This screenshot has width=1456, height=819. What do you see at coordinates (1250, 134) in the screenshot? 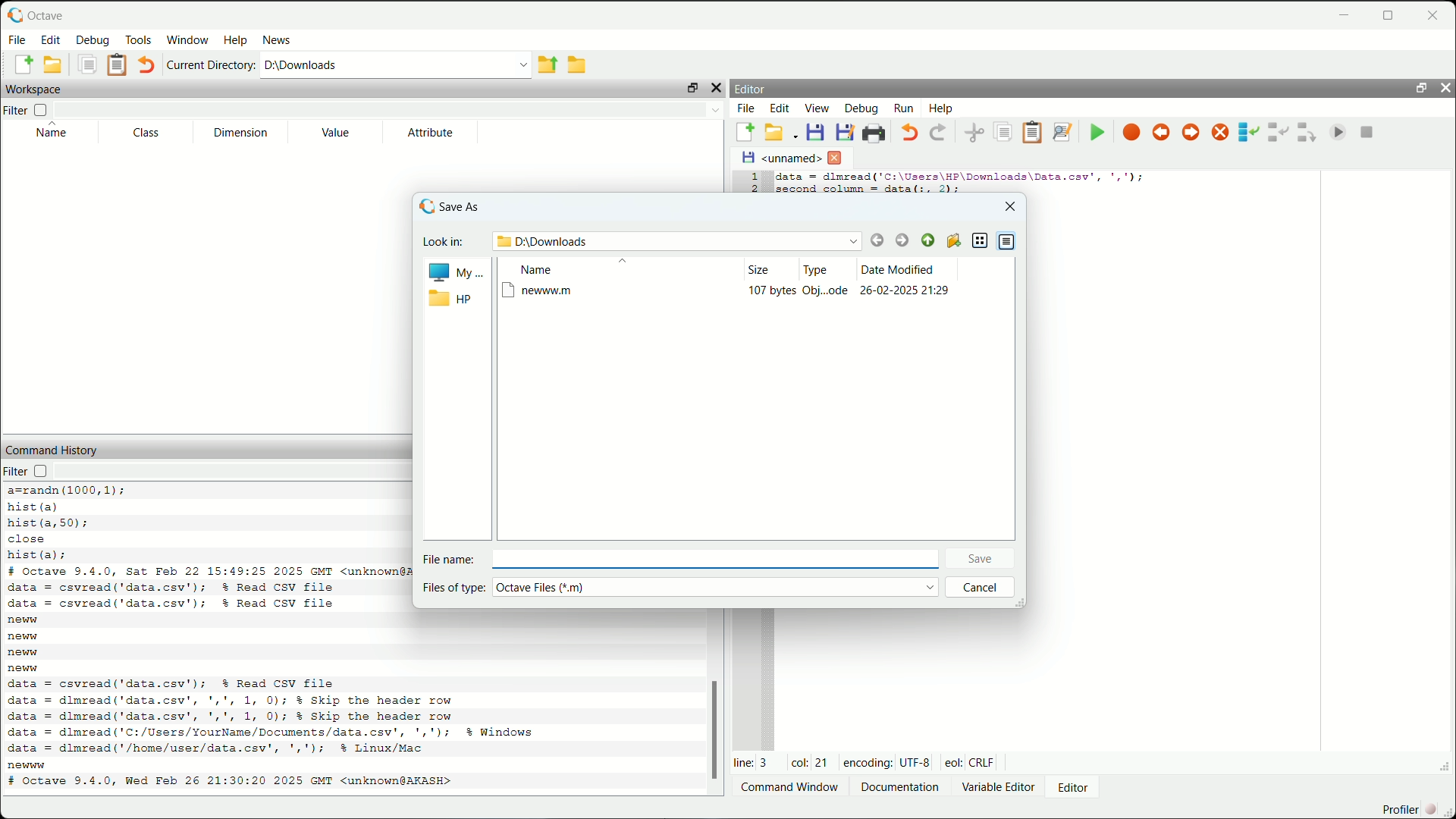
I see `step` at bounding box center [1250, 134].